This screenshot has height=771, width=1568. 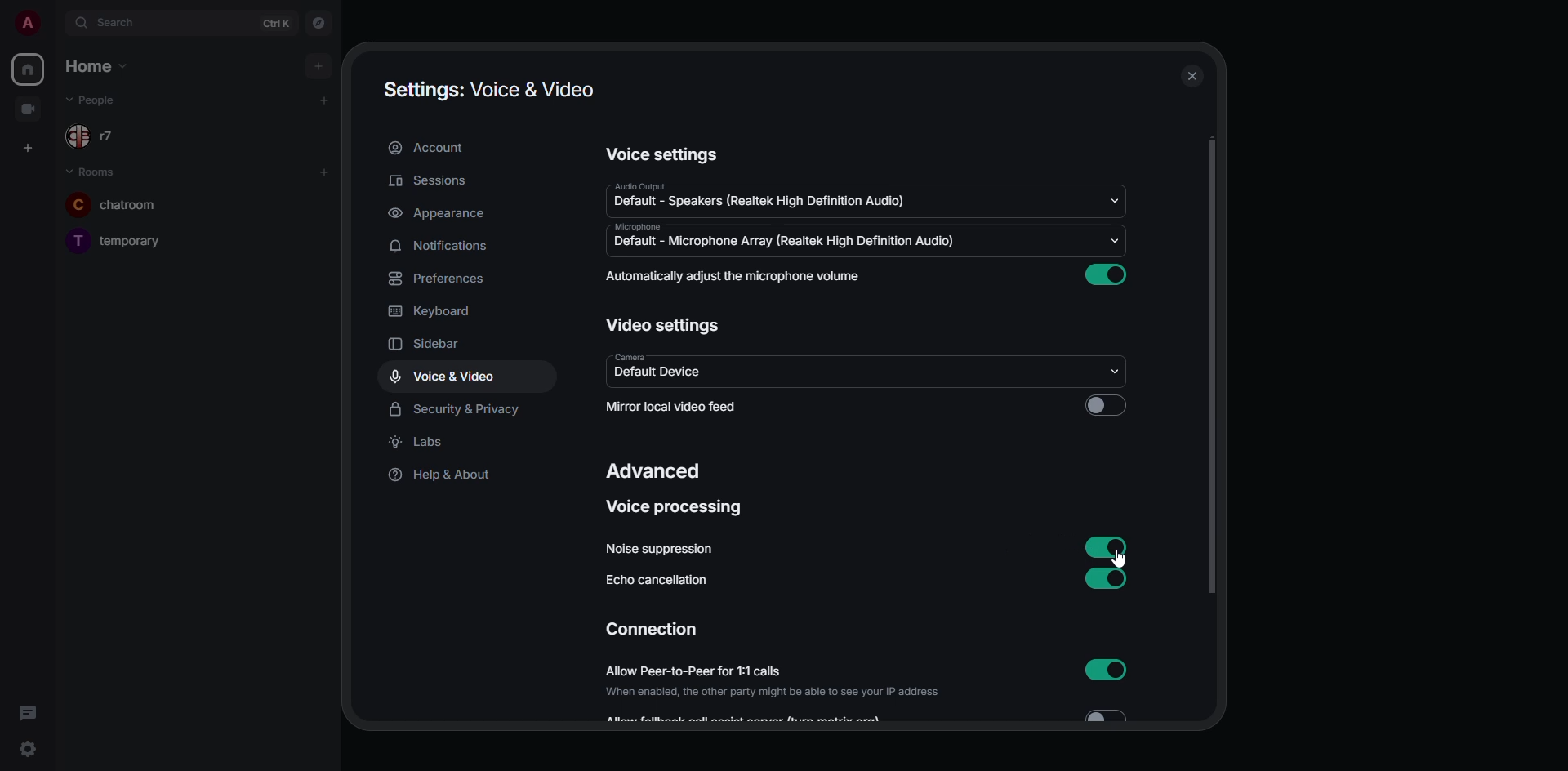 I want to click on enabled, so click(x=1106, y=274).